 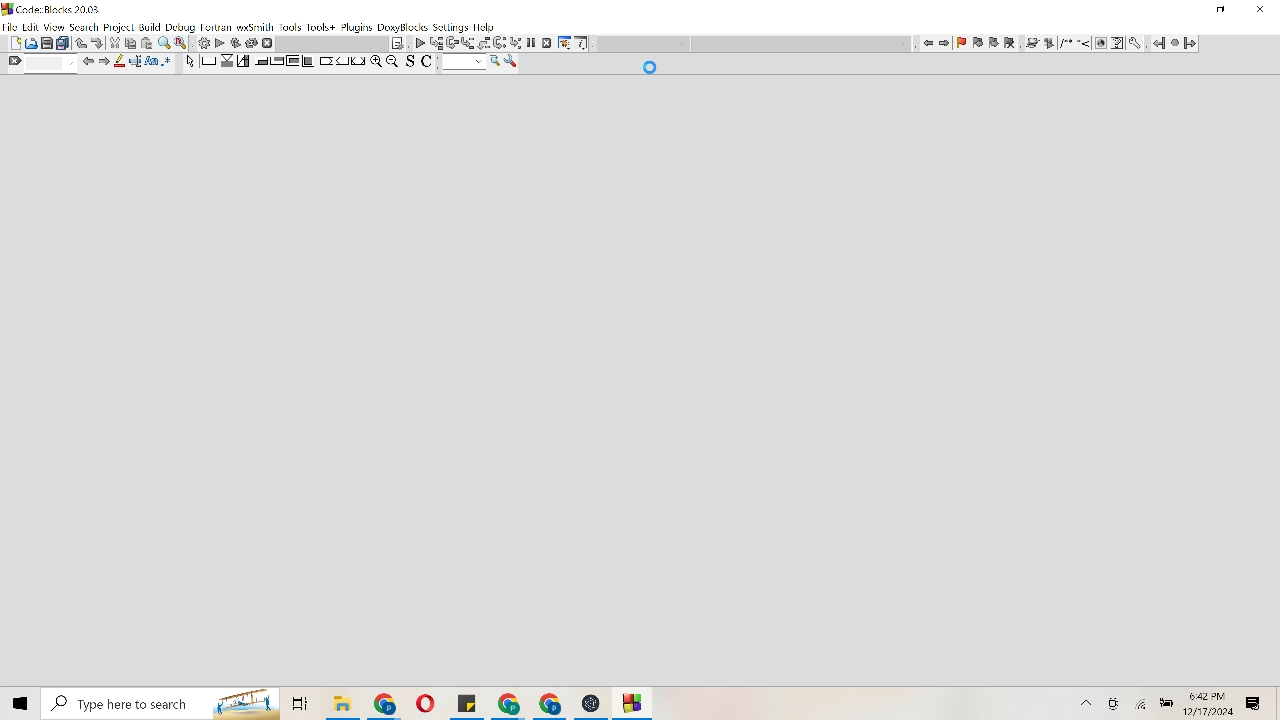 What do you see at coordinates (484, 27) in the screenshot?
I see `help` at bounding box center [484, 27].